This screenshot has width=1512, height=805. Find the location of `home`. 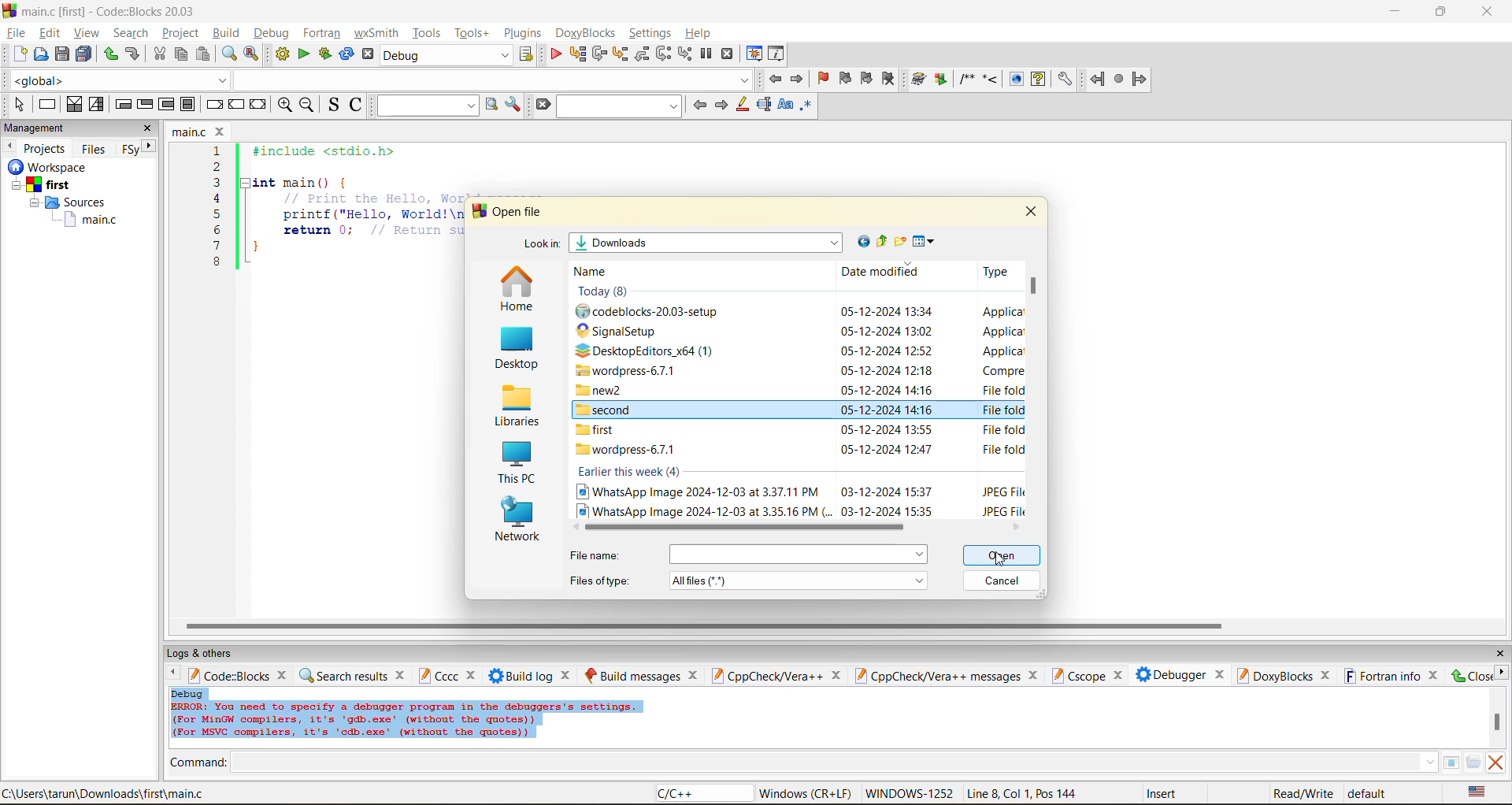

home is located at coordinates (517, 290).